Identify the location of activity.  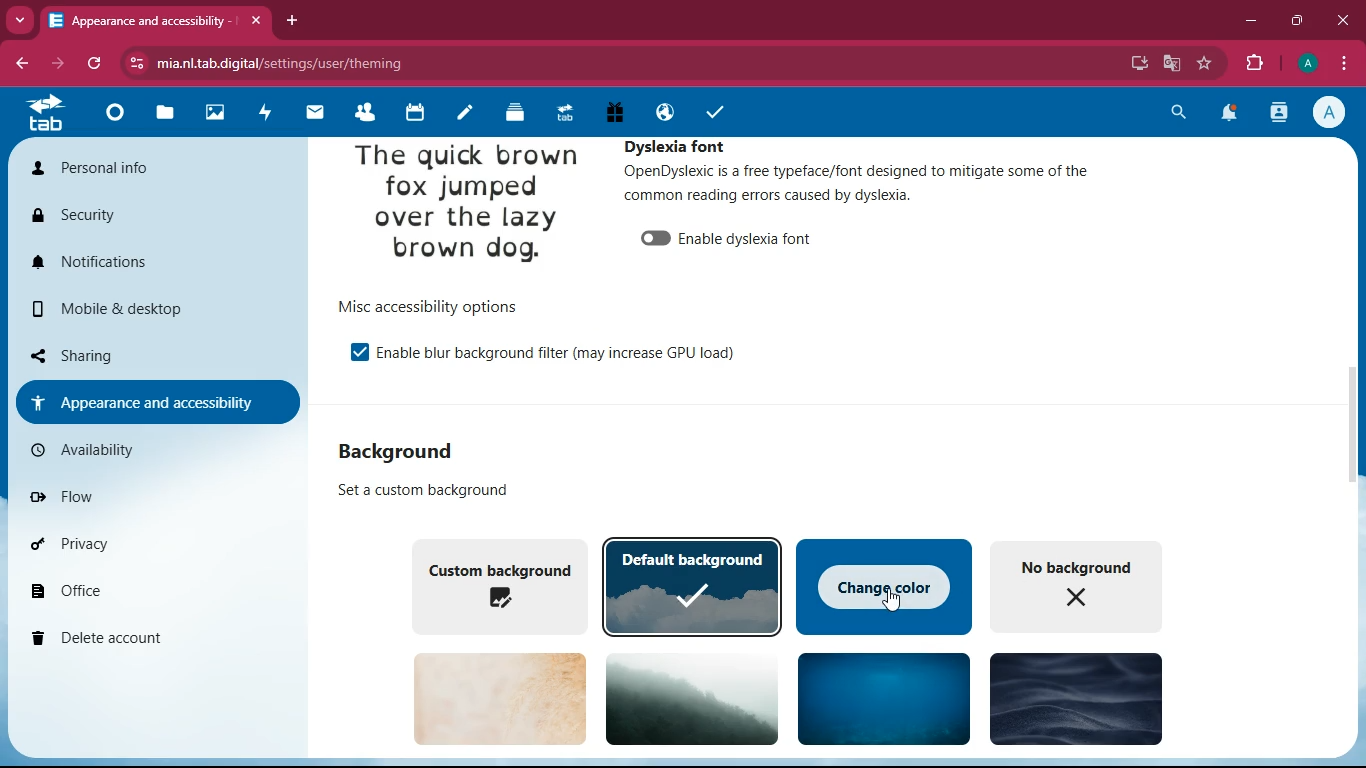
(260, 114).